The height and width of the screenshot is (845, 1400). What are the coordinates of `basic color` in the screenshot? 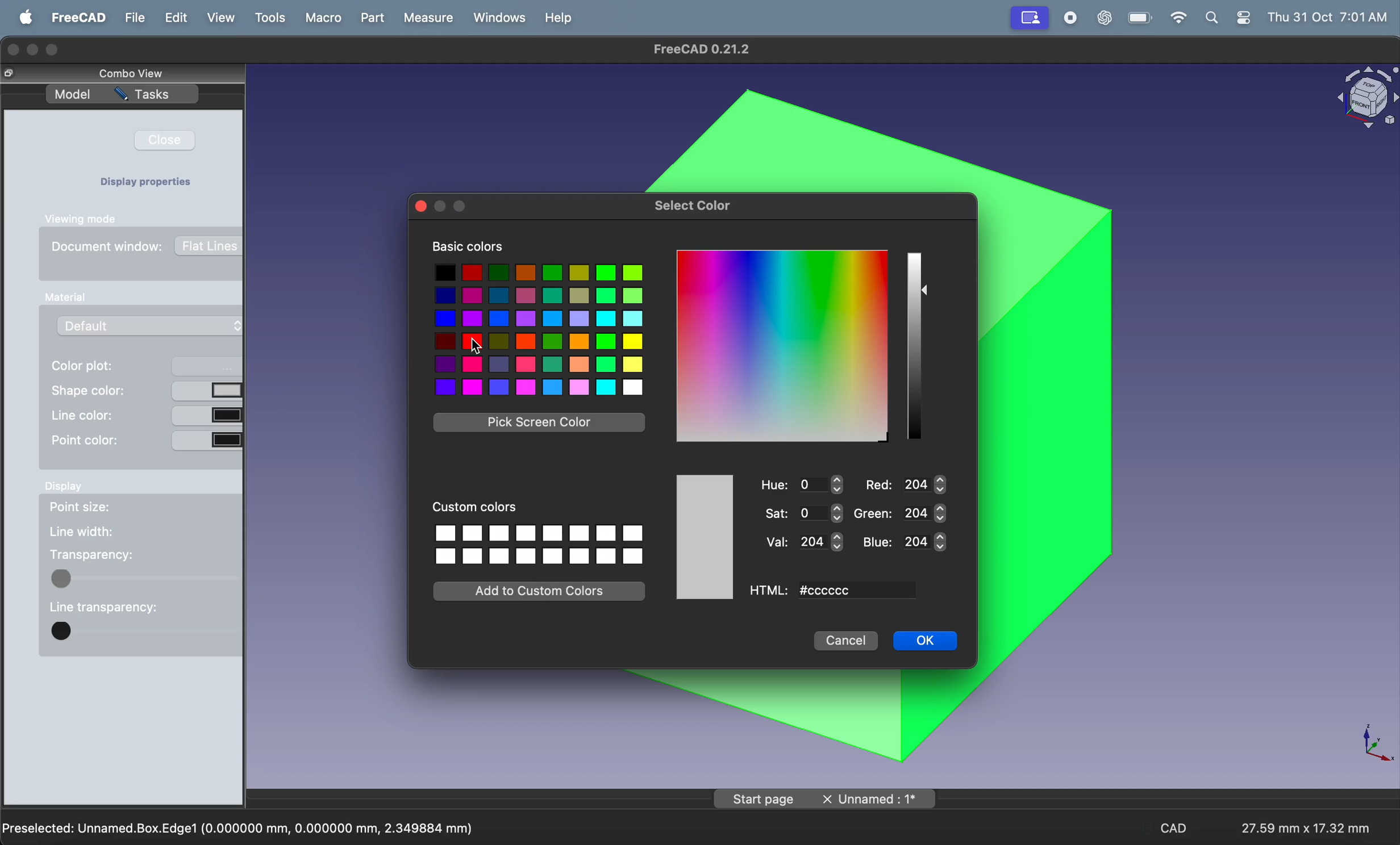 It's located at (471, 247).